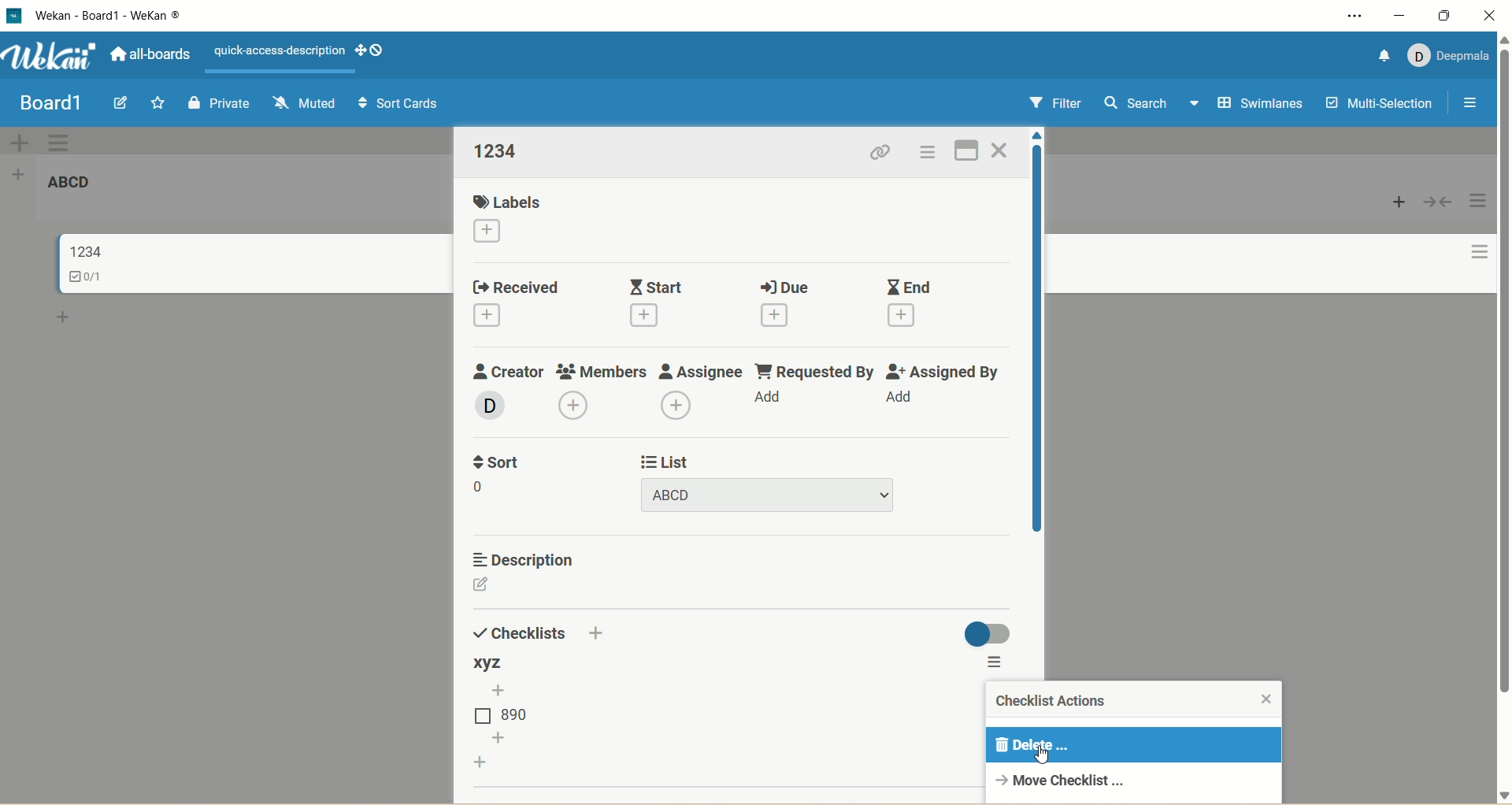 This screenshot has width=1512, height=805. What do you see at coordinates (1482, 232) in the screenshot?
I see `action` at bounding box center [1482, 232].